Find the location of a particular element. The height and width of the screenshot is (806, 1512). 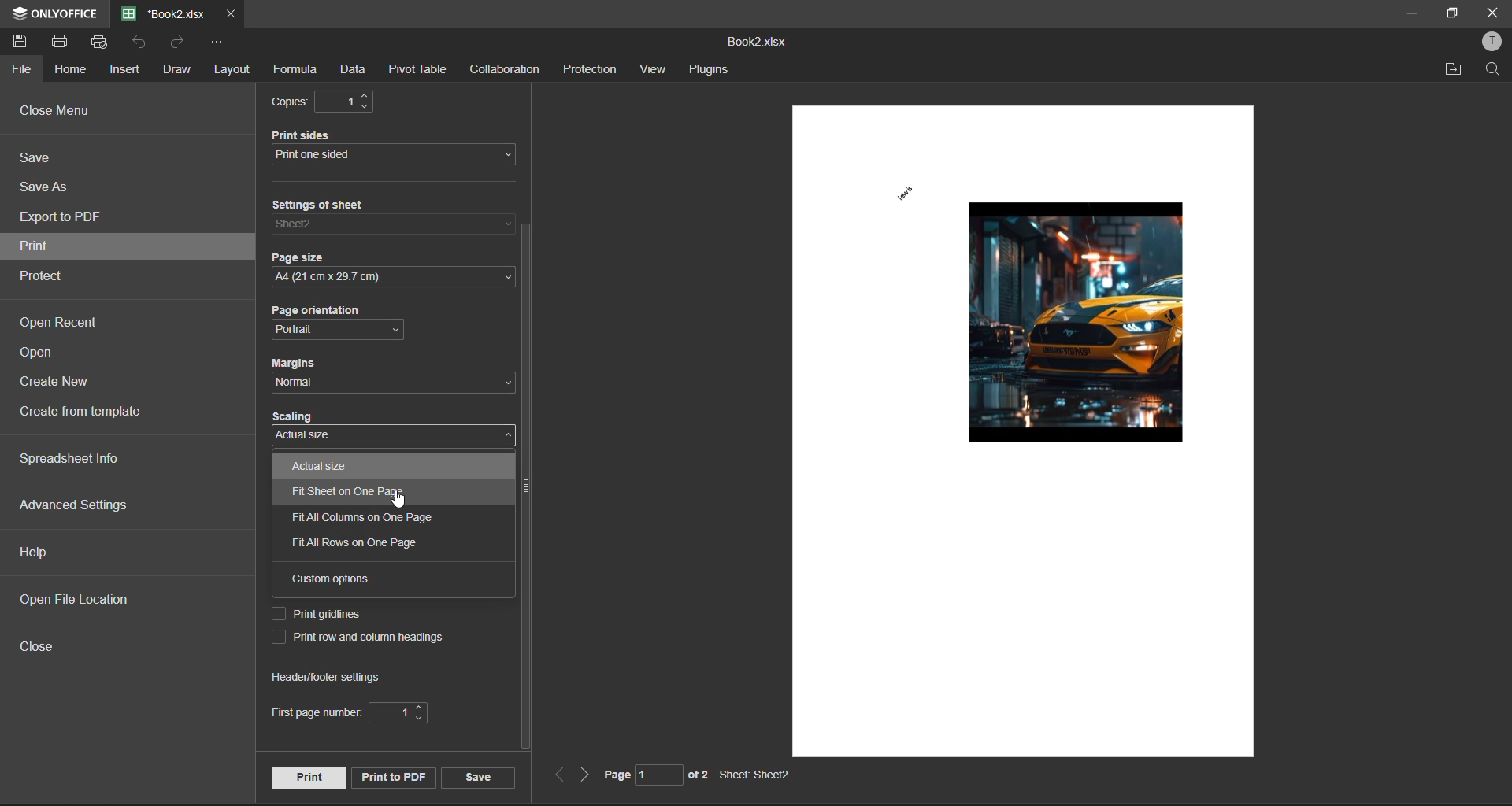

save is located at coordinates (43, 160).